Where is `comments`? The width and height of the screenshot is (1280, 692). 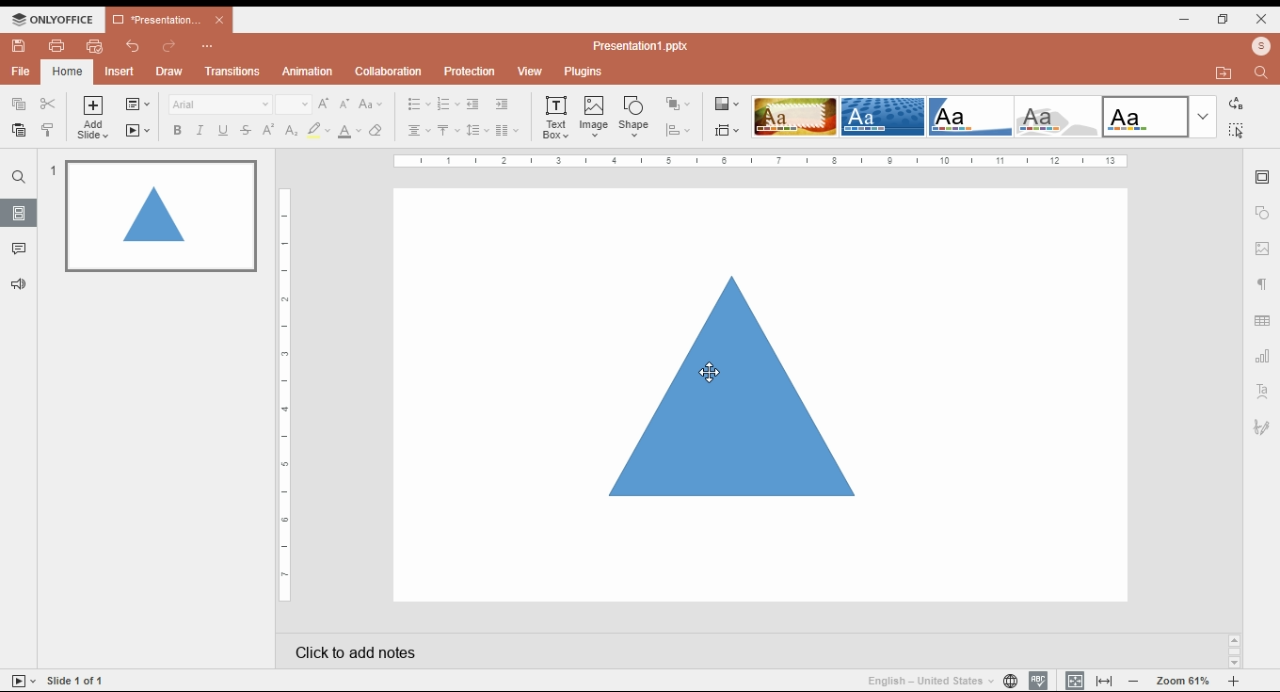 comments is located at coordinates (20, 249).